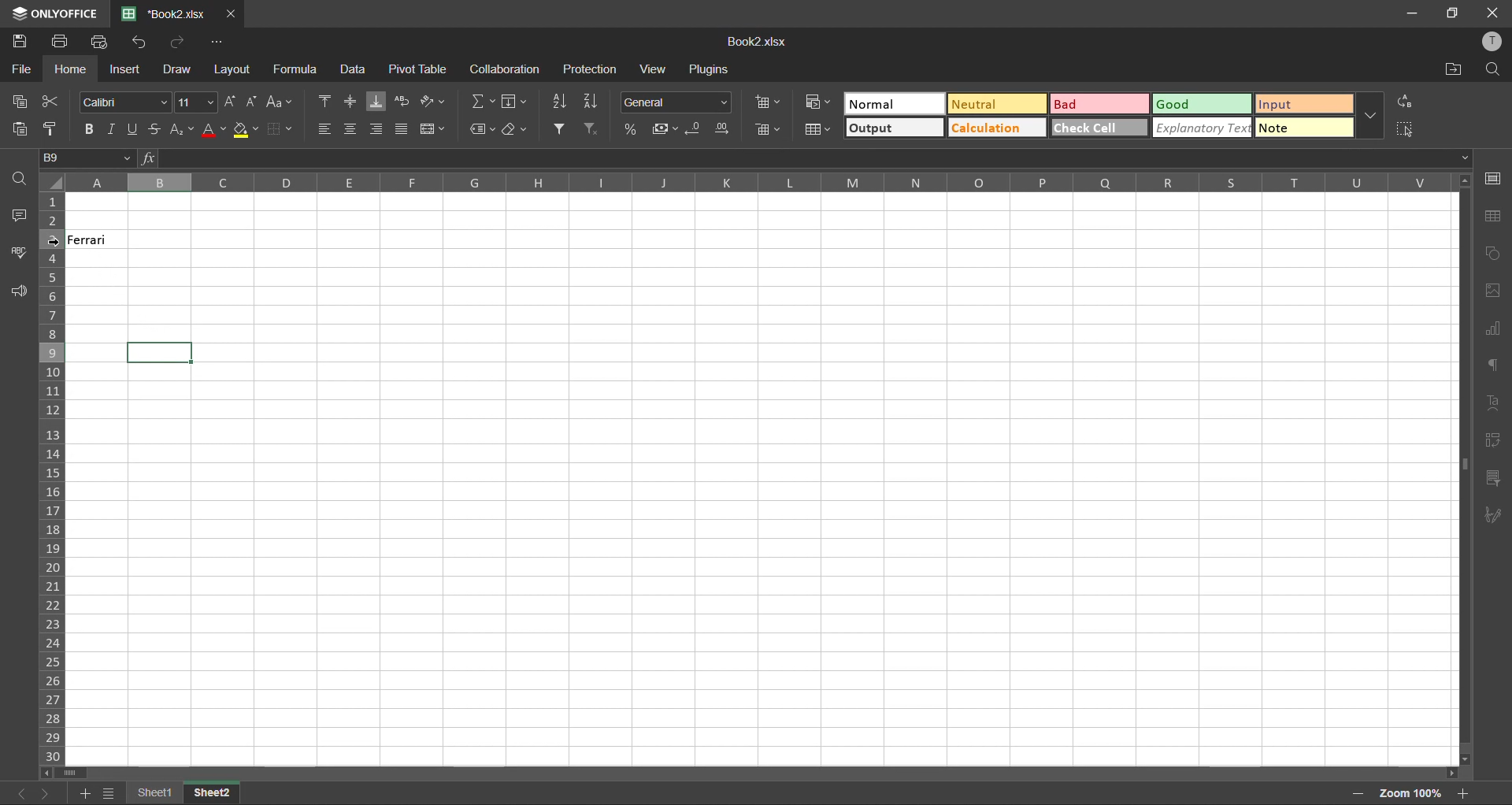 The image size is (1512, 805). I want to click on table, so click(1495, 218).